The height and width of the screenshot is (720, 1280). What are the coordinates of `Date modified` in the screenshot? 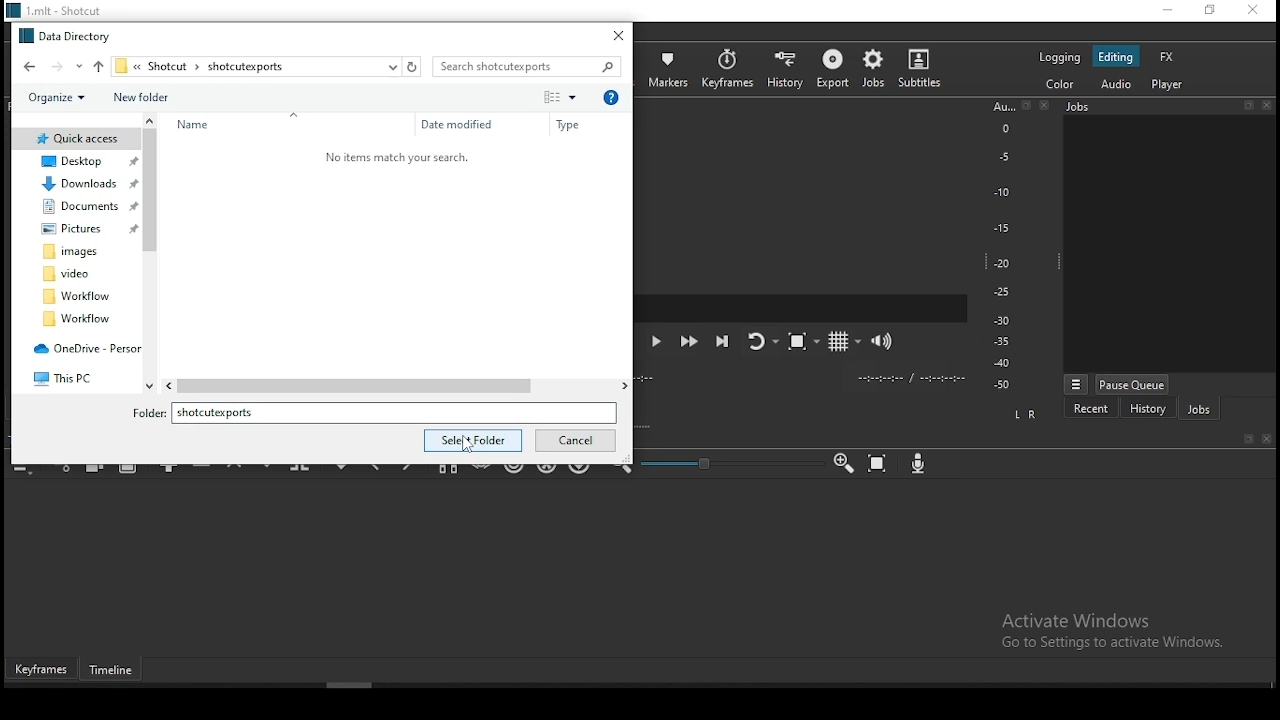 It's located at (458, 125).